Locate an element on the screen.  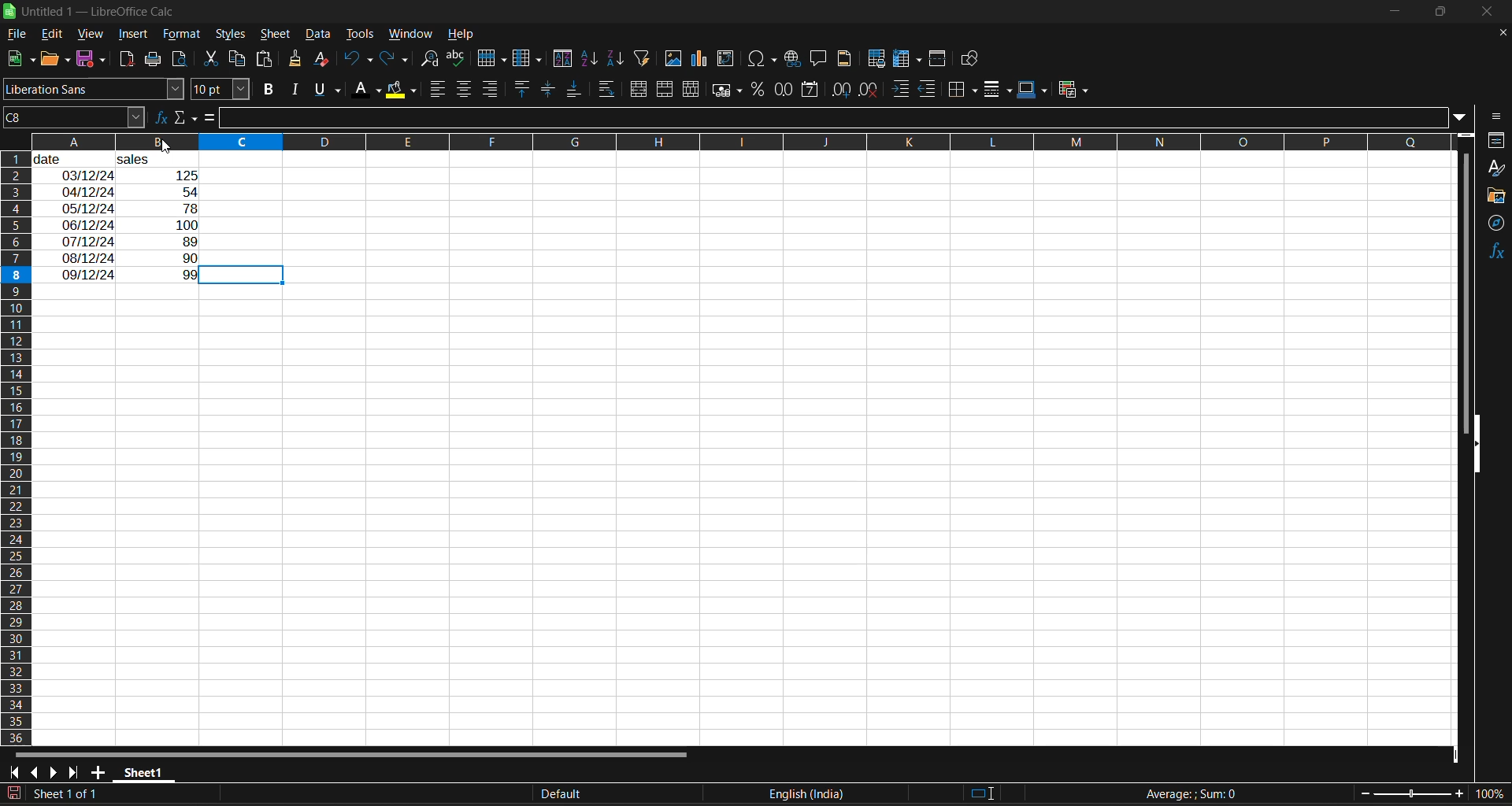
paste is located at coordinates (267, 59).